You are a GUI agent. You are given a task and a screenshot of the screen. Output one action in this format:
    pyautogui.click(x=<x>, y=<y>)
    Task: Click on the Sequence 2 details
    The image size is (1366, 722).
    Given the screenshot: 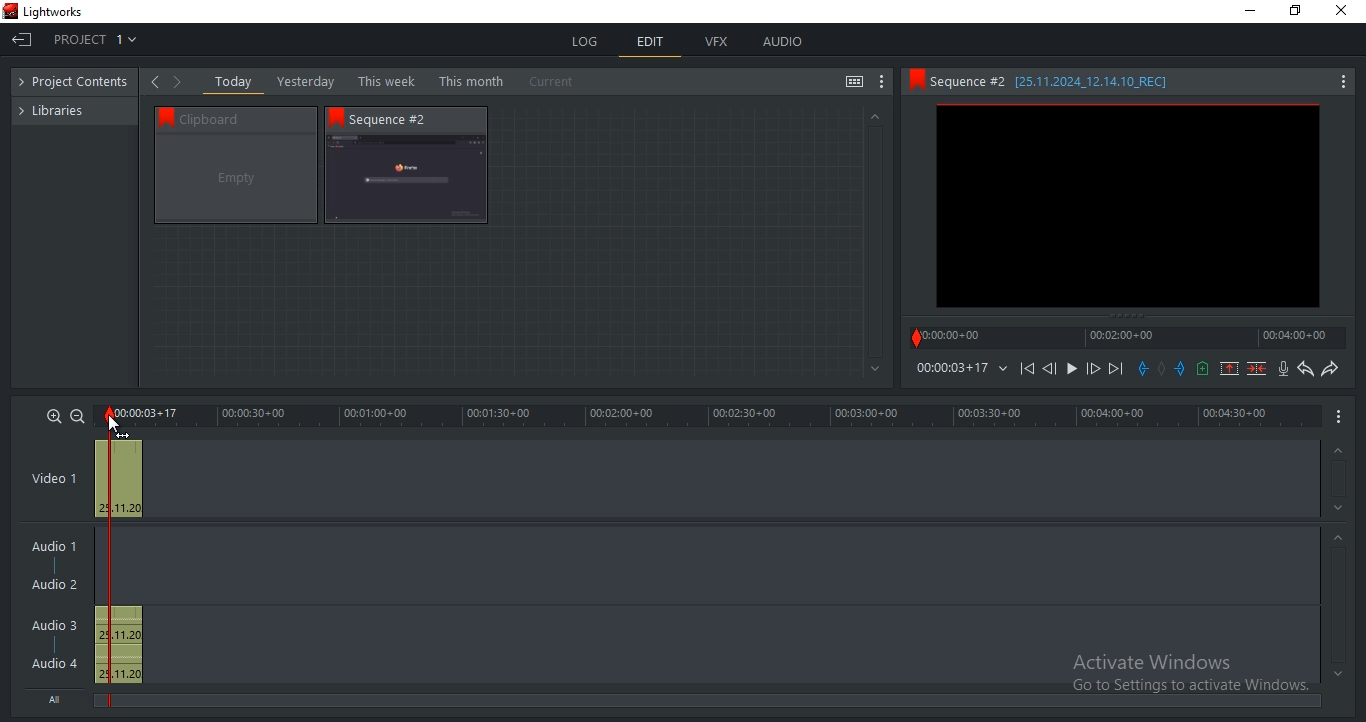 What is the action you would take?
    pyautogui.click(x=1068, y=81)
    